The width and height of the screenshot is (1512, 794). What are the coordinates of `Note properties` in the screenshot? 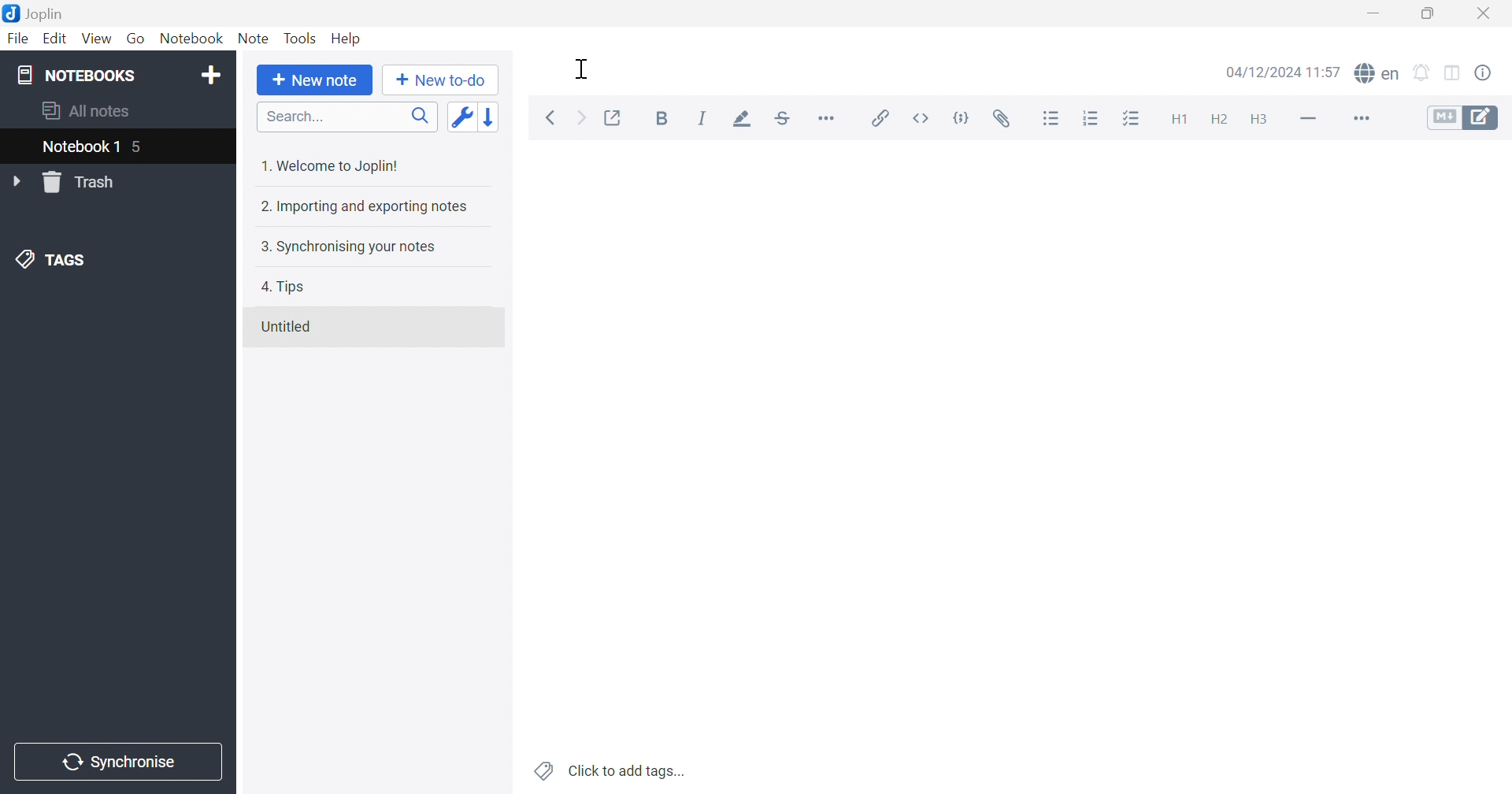 It's located at (1486, 71).